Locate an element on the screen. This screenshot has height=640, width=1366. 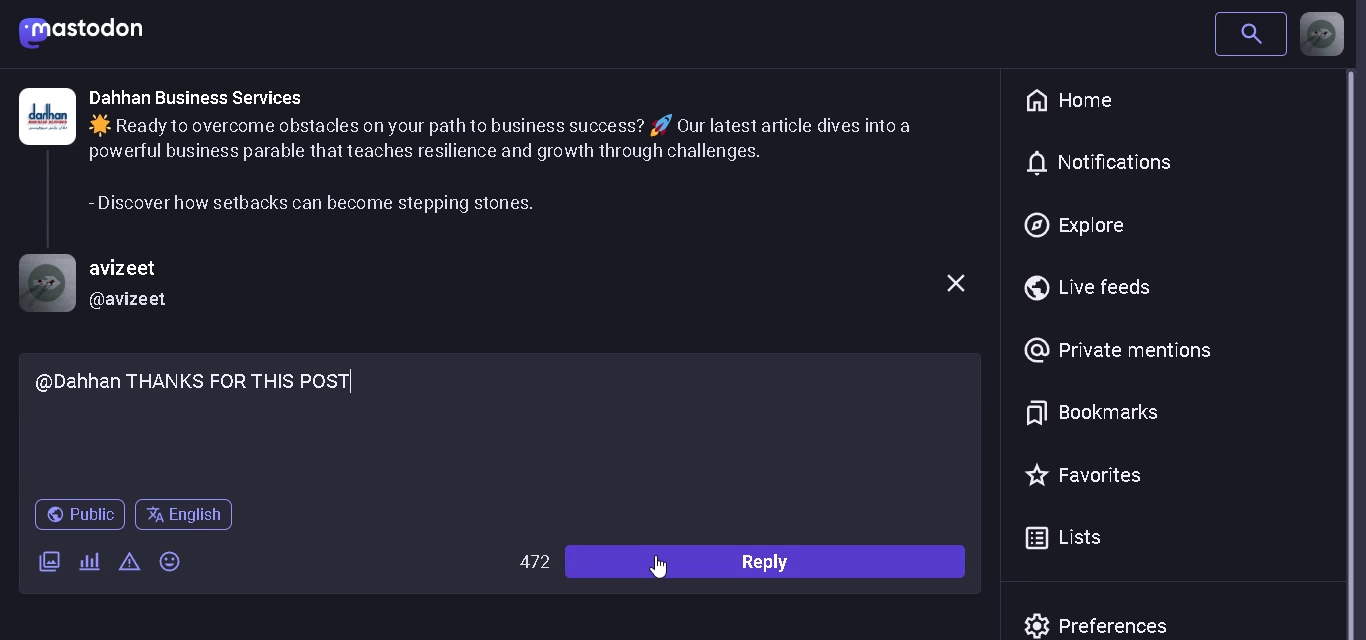
notification is located at coordinates (1114, 162).